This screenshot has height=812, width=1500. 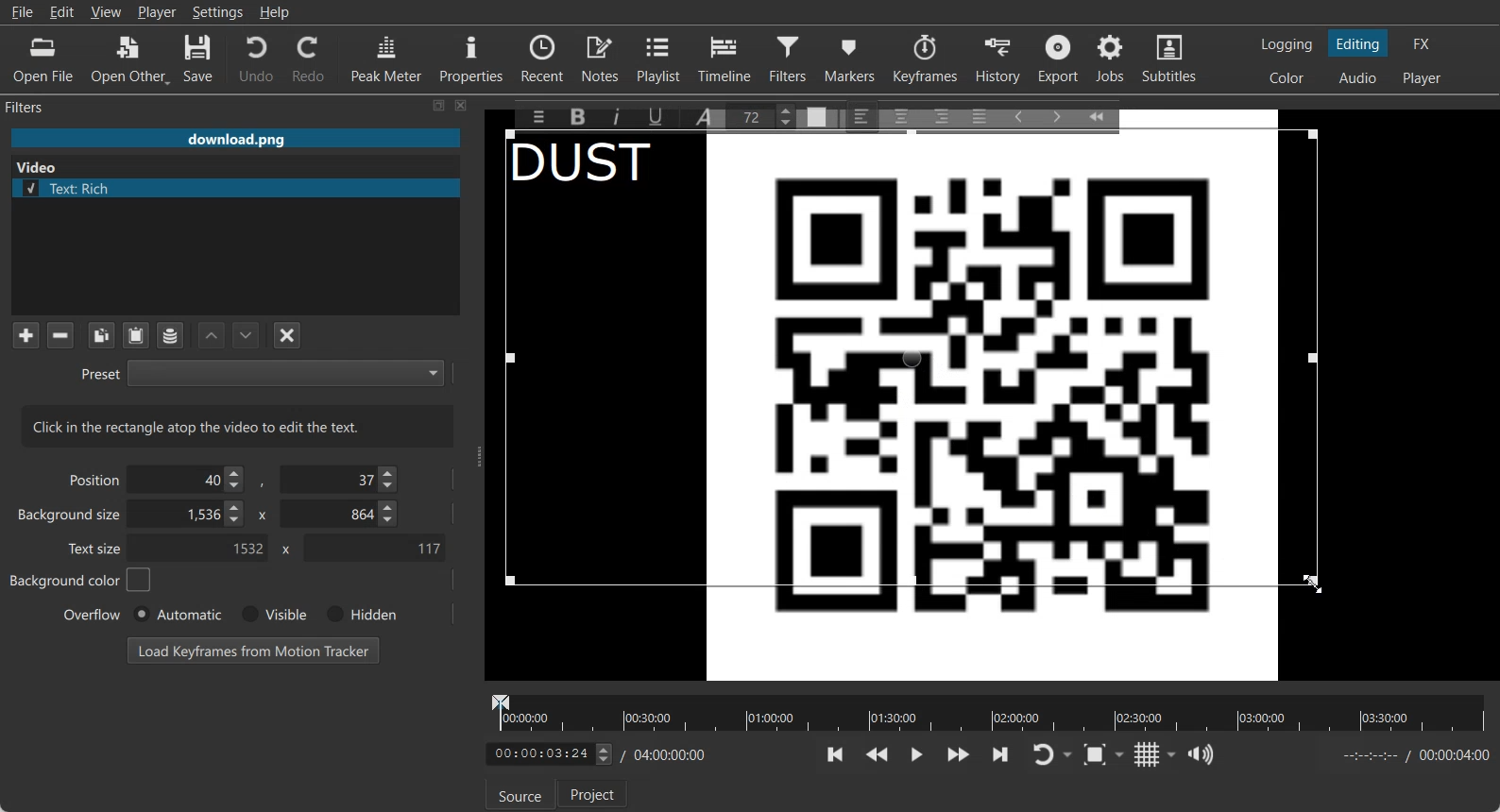 I want to click on Timeline, so click(x=725, y=58).